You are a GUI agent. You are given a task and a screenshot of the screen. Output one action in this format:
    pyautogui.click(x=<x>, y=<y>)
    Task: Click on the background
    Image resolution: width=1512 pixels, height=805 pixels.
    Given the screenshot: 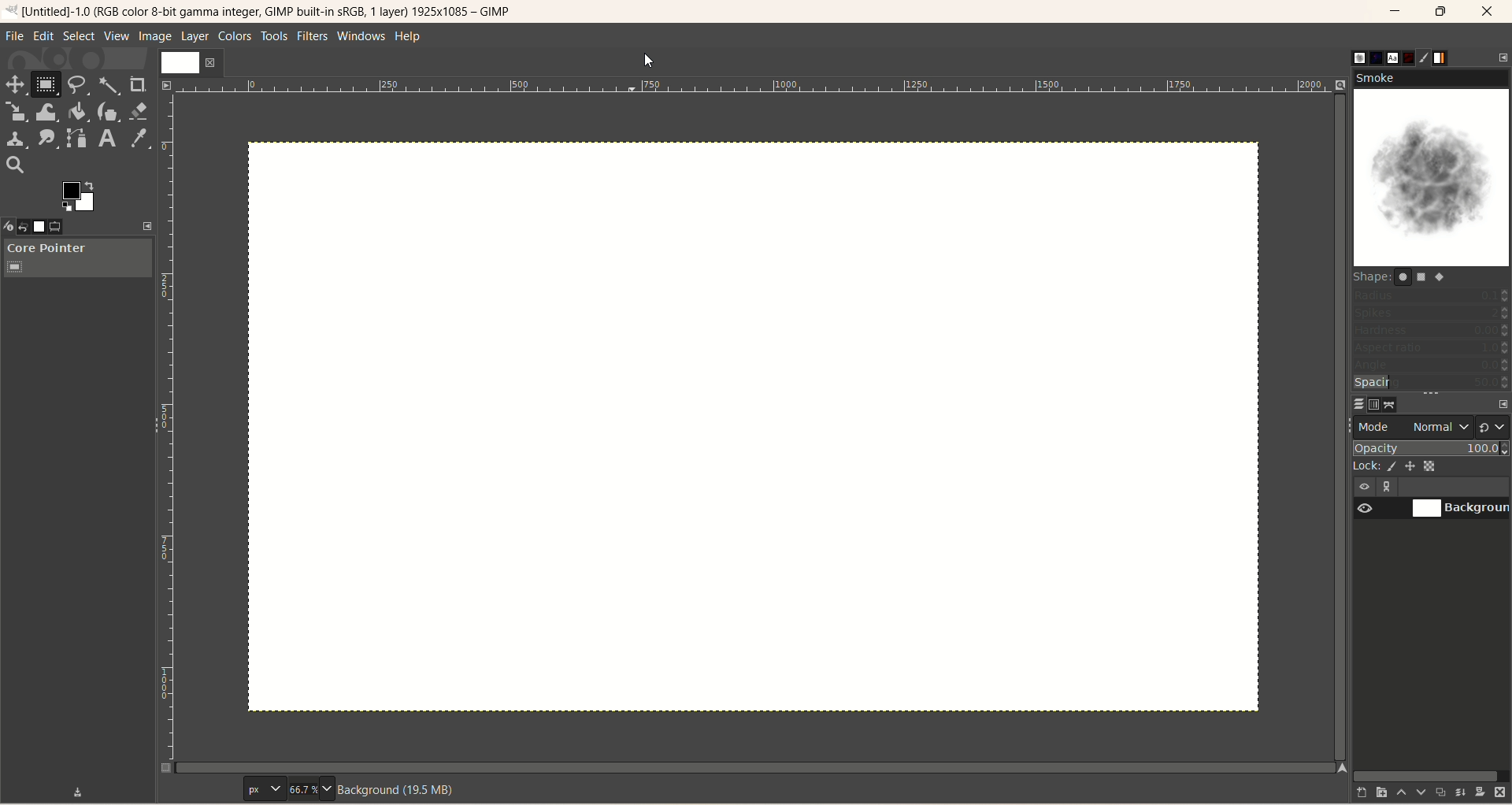 What is the action you would take?
    pyautogui.click(x=1462, y=510)
    